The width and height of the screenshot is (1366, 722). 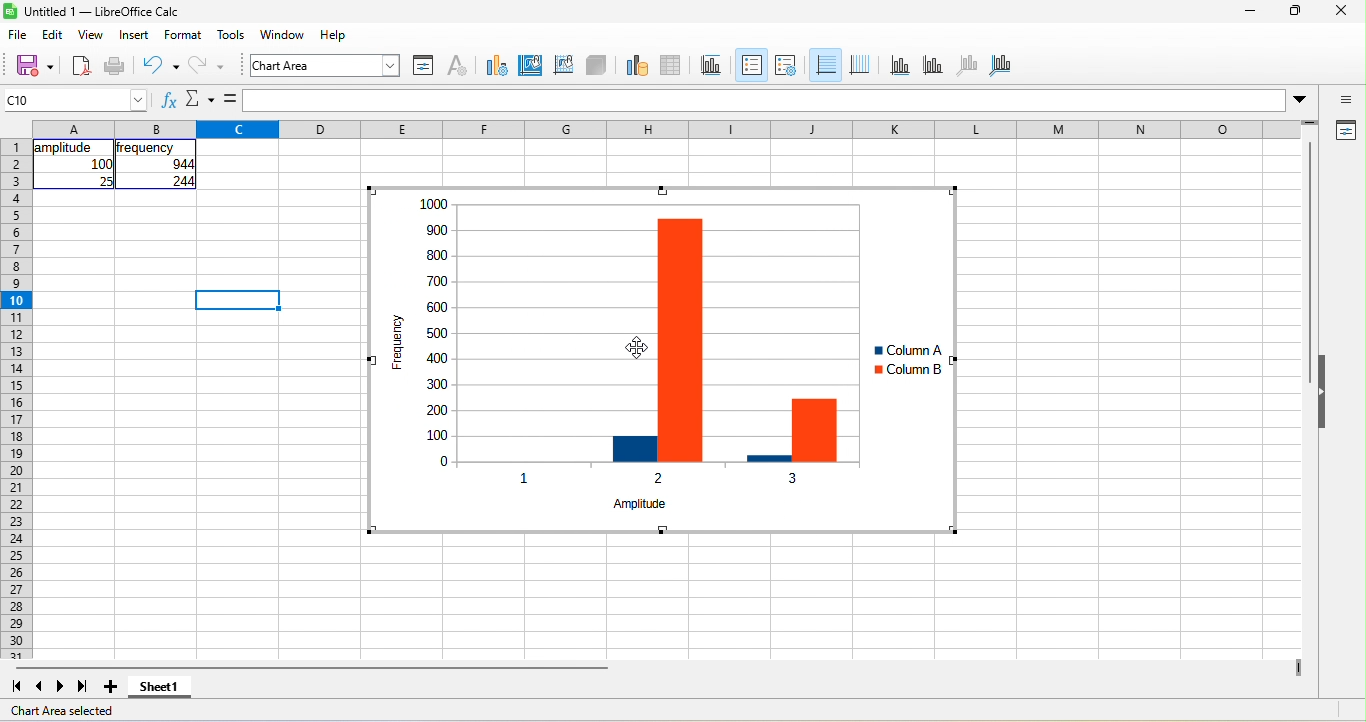 I want to click on window, so click(x=283, y=34).